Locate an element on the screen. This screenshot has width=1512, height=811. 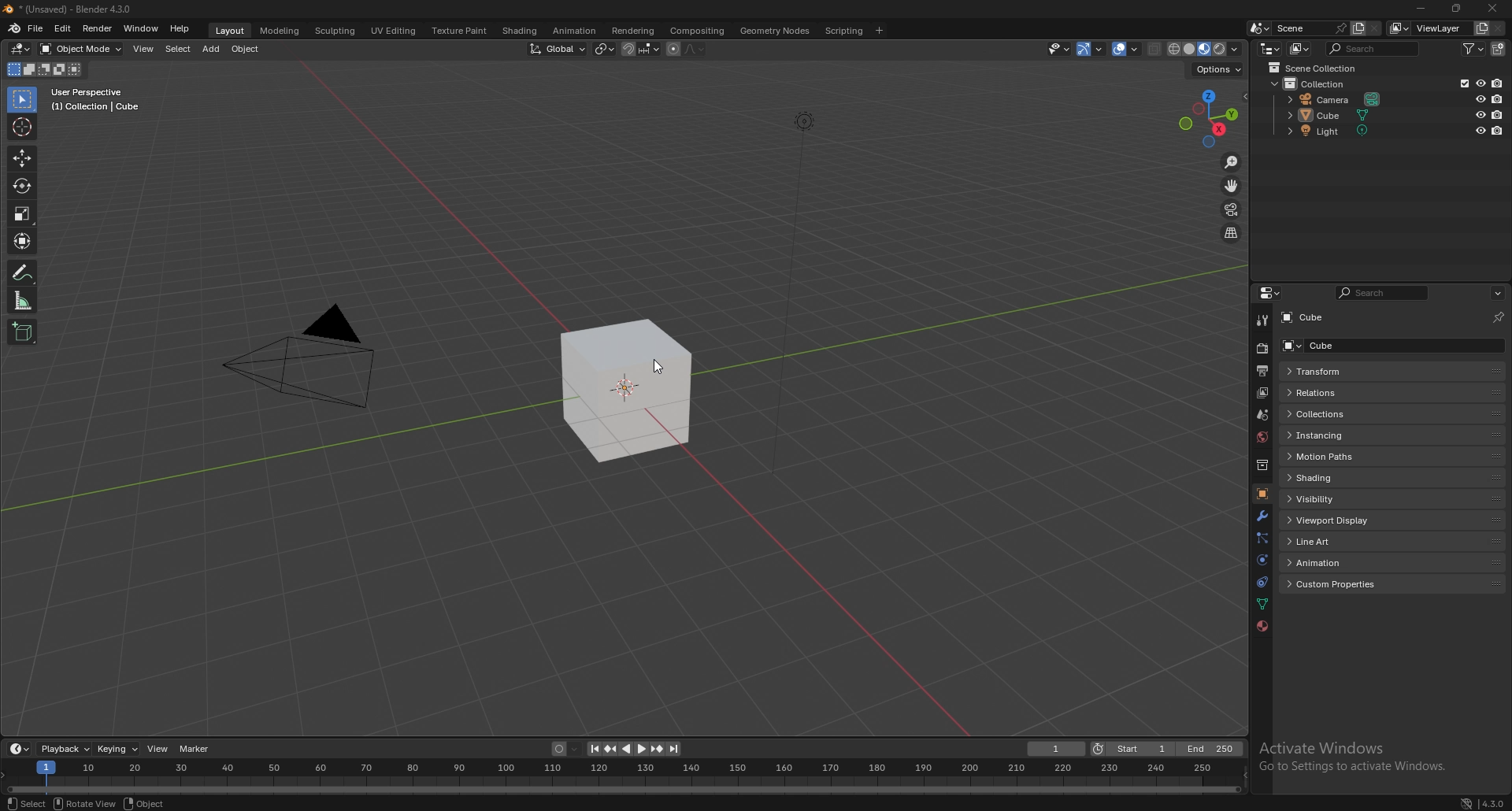
compisiting is located at coordinates (697, 31).